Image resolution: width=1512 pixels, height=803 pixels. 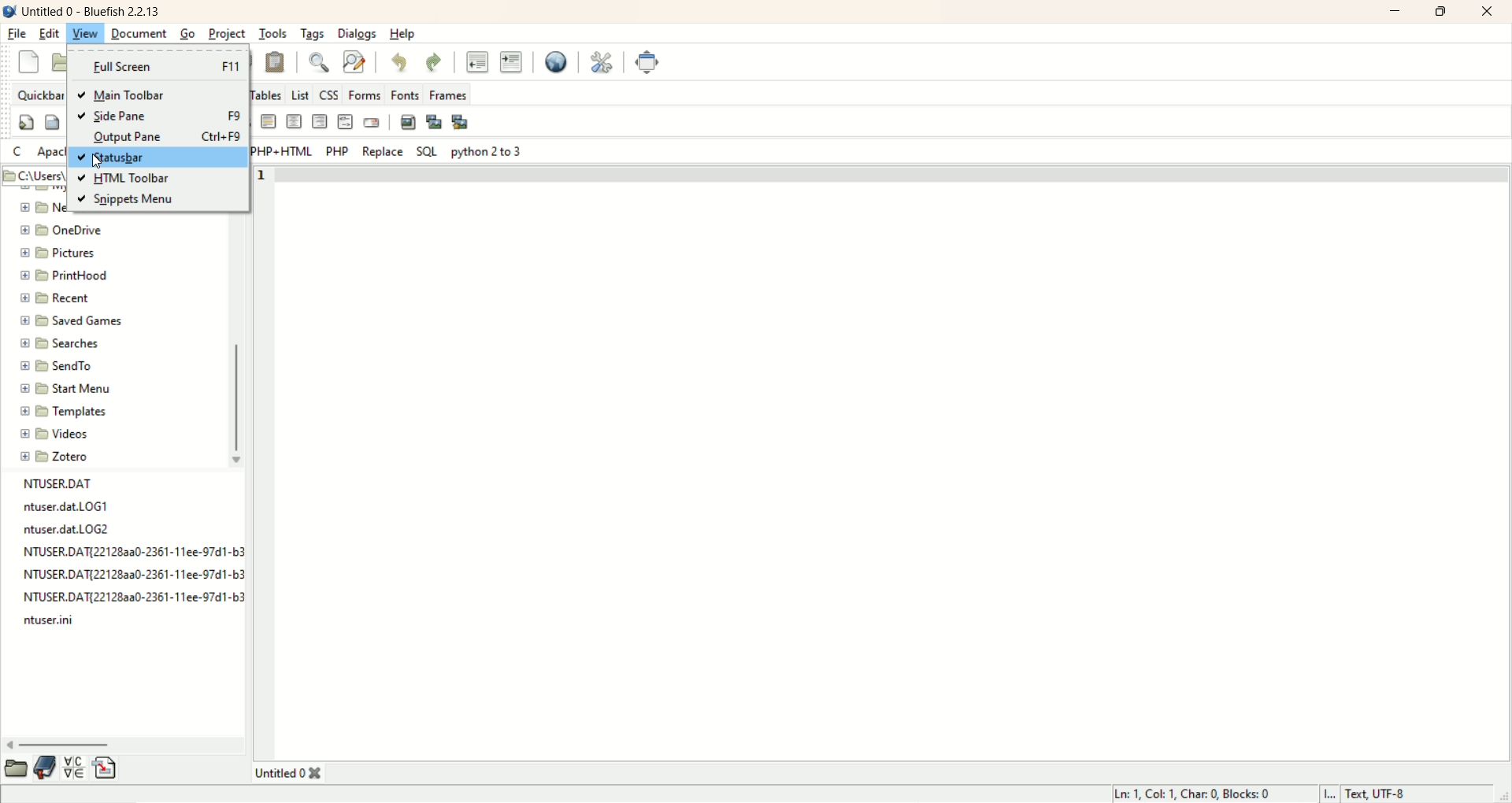 I want to click on documentation, so click(x=46, y=767).